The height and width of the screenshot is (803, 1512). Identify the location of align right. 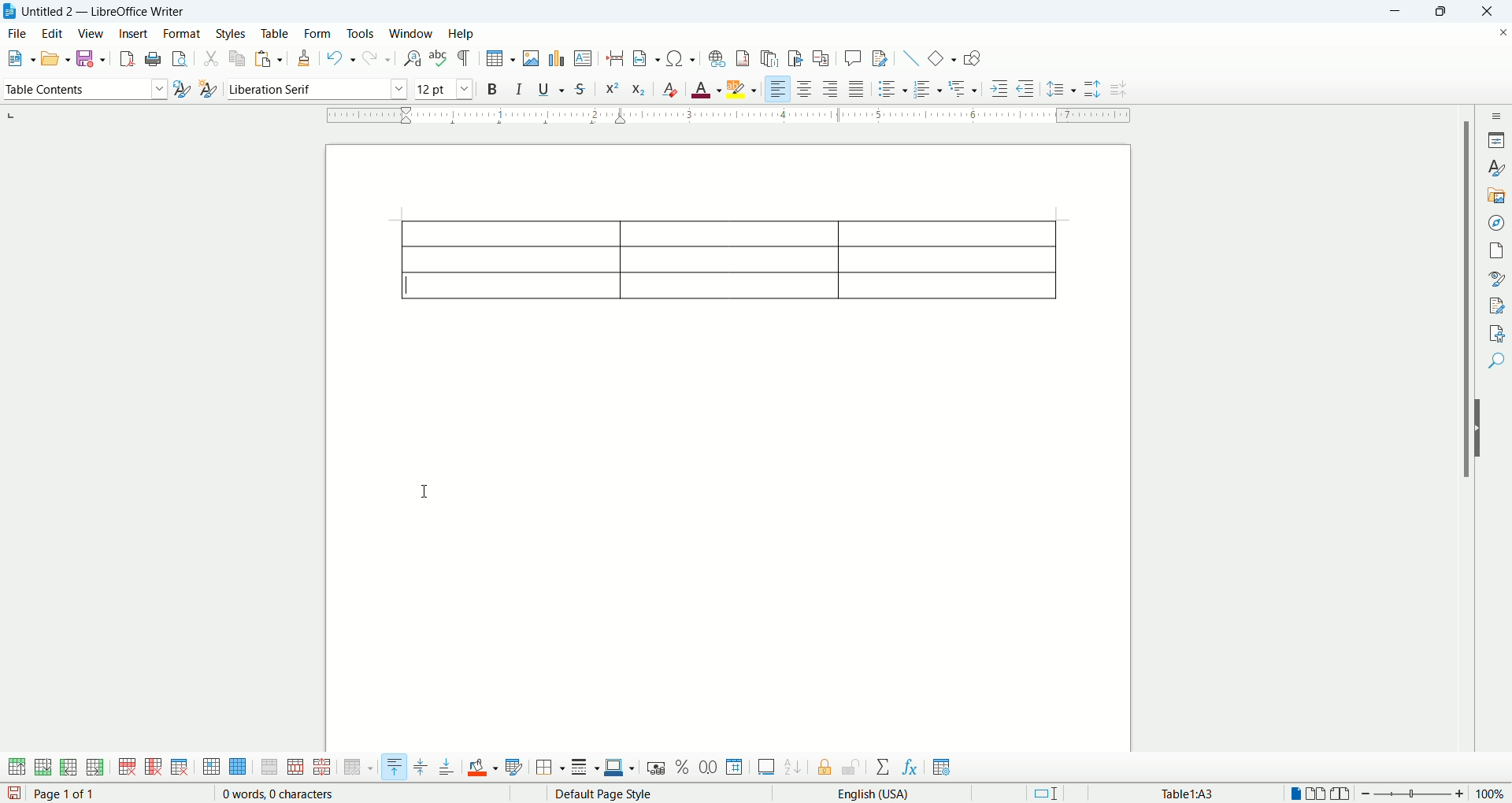
(828, 91).